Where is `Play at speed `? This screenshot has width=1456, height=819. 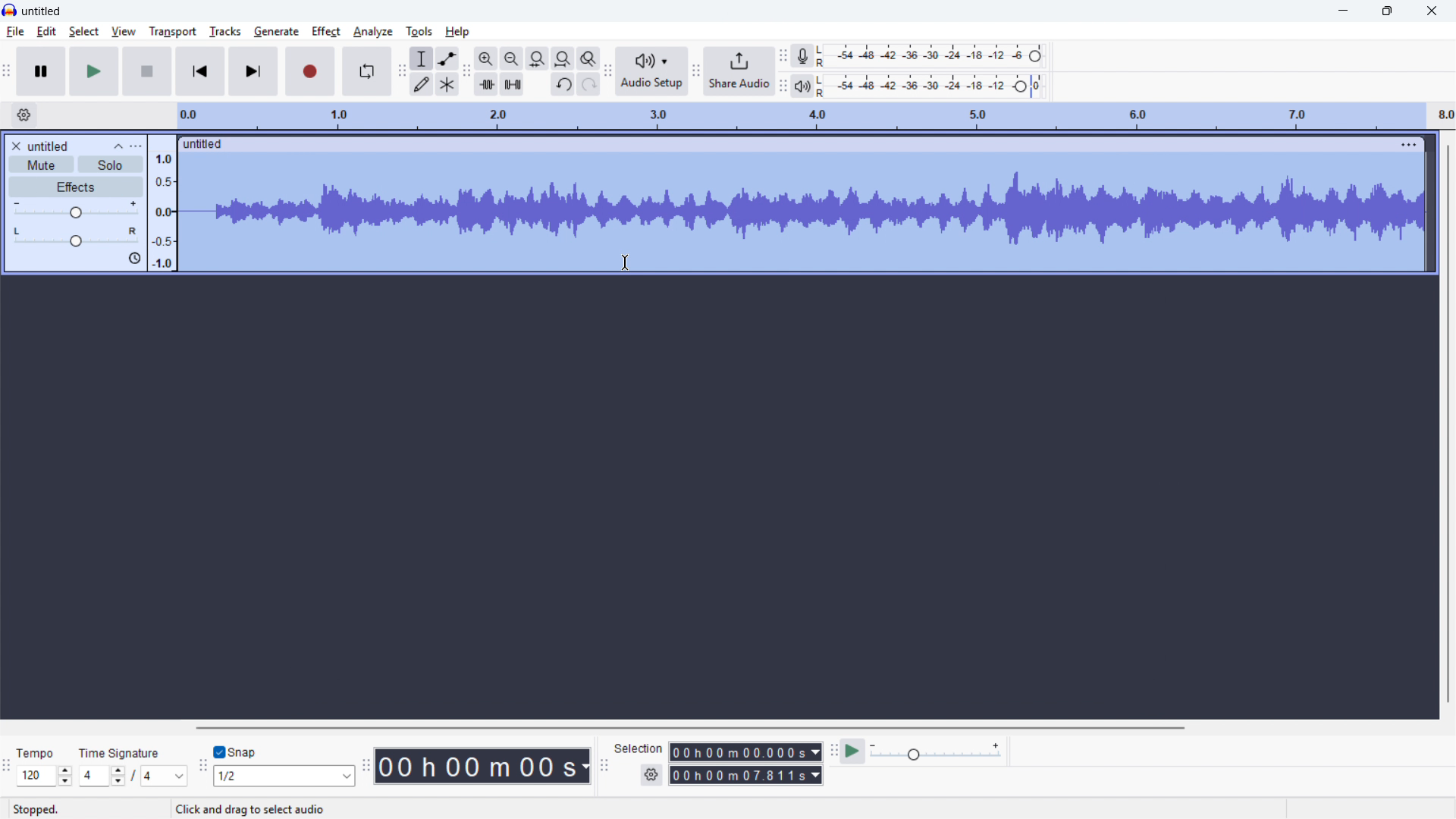
Play at speed  is located at coordinates (851, 752).